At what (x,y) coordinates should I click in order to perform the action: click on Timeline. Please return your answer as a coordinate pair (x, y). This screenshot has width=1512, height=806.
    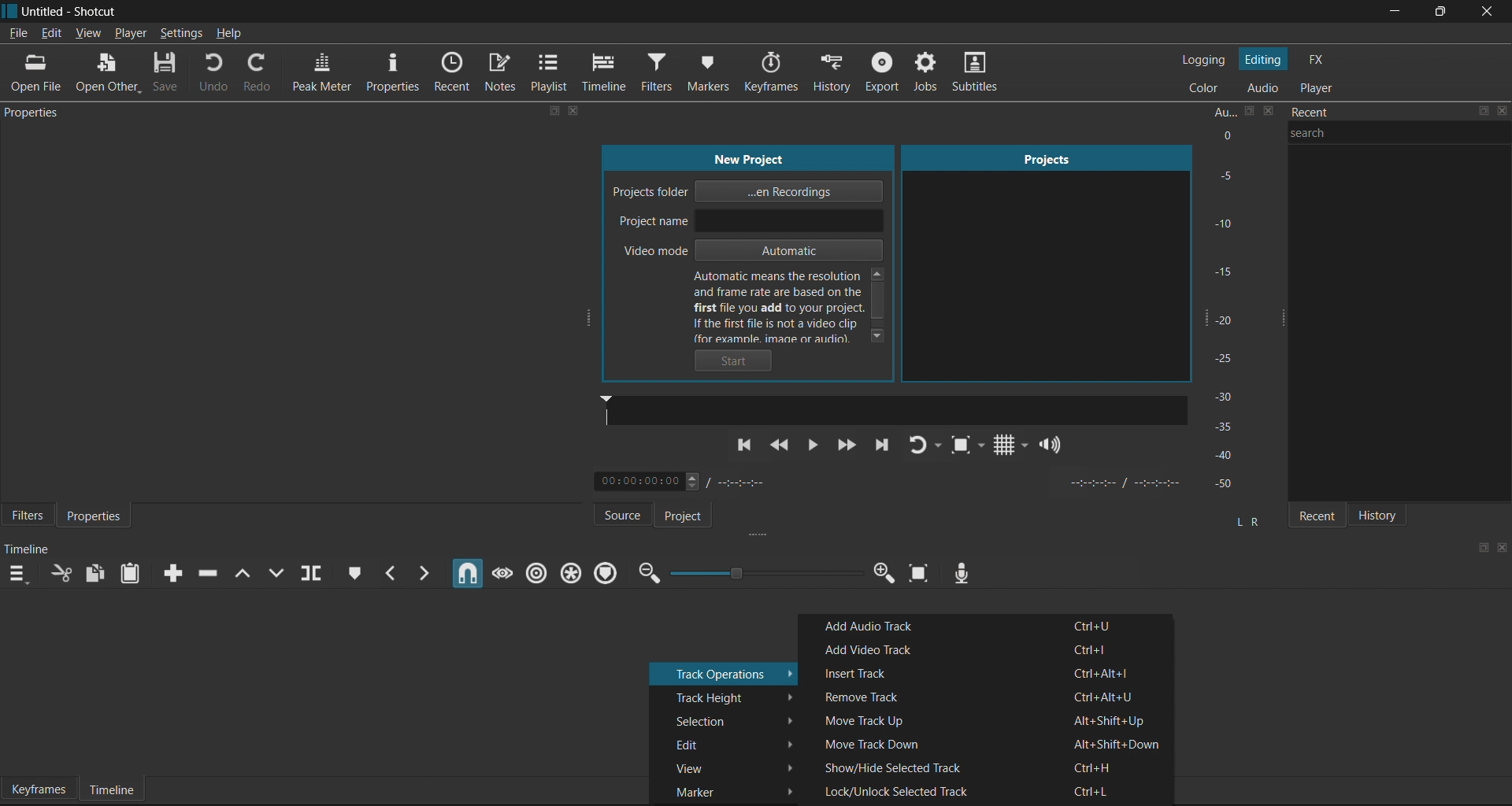
    Looking at the image, I should click on (608, 72).